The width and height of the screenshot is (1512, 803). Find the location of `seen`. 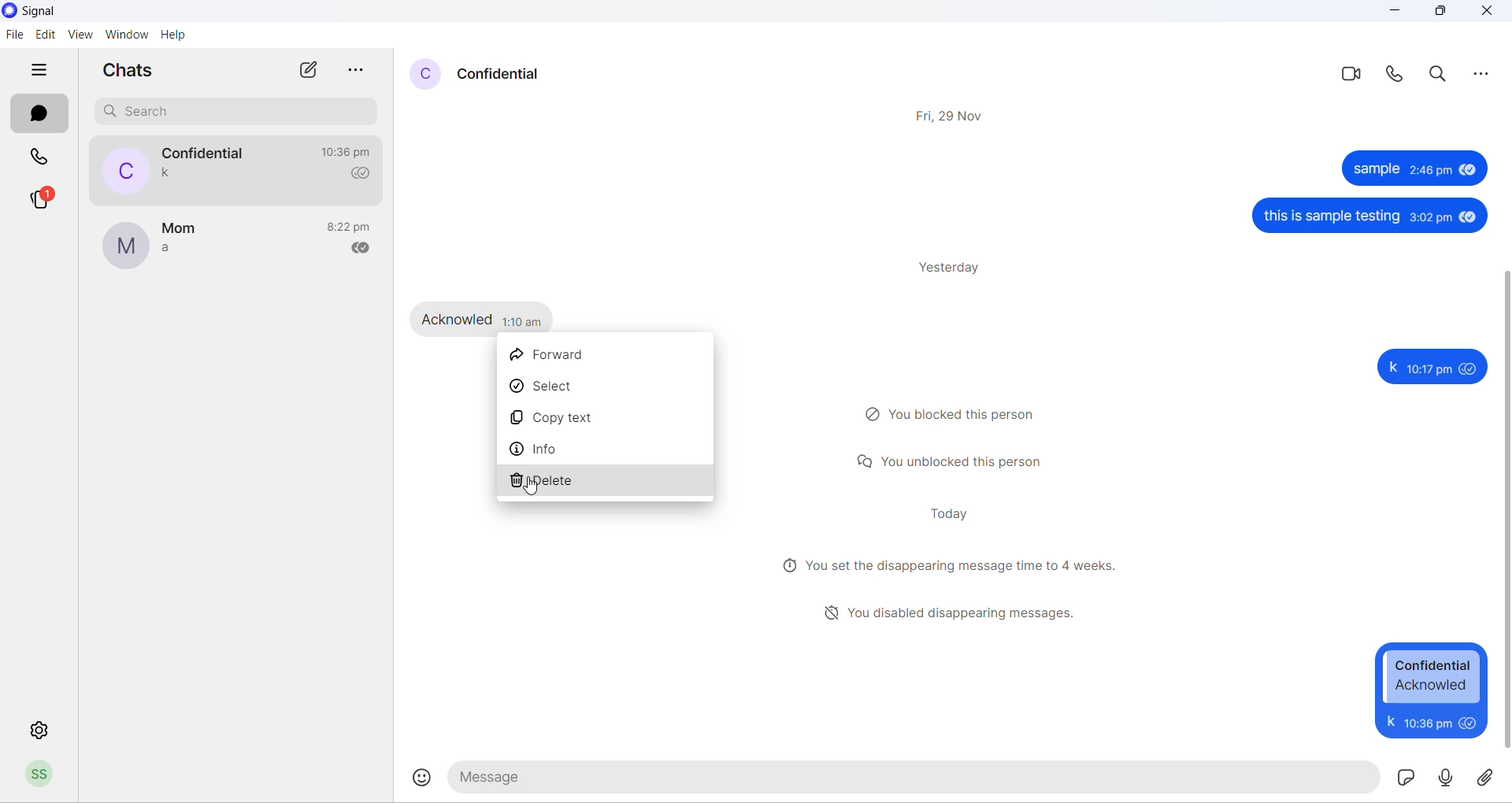

seen is located at coordinates (1469, 368).